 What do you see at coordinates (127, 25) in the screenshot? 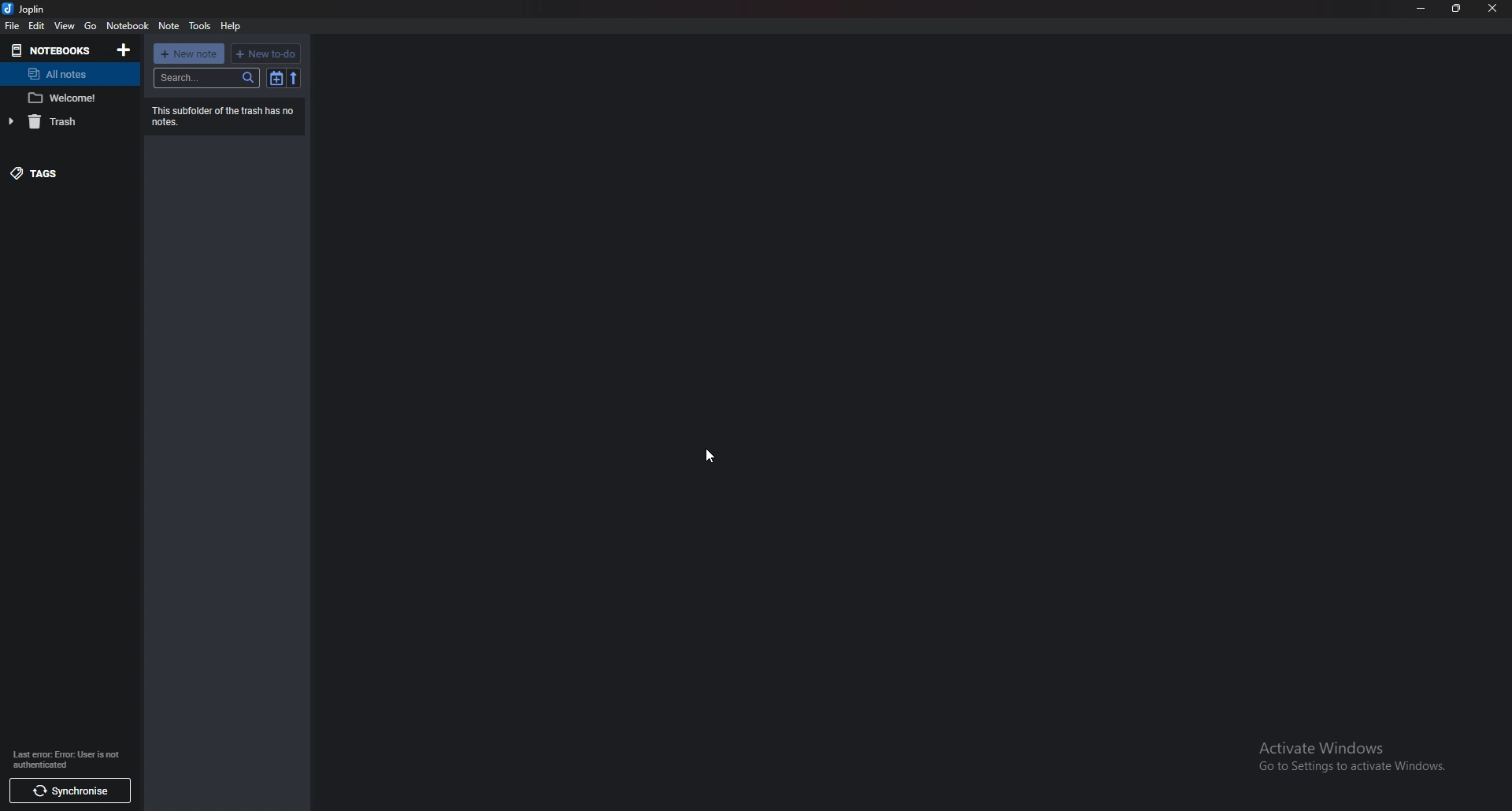
I see `Notebook` at bounding box center [127, 25].